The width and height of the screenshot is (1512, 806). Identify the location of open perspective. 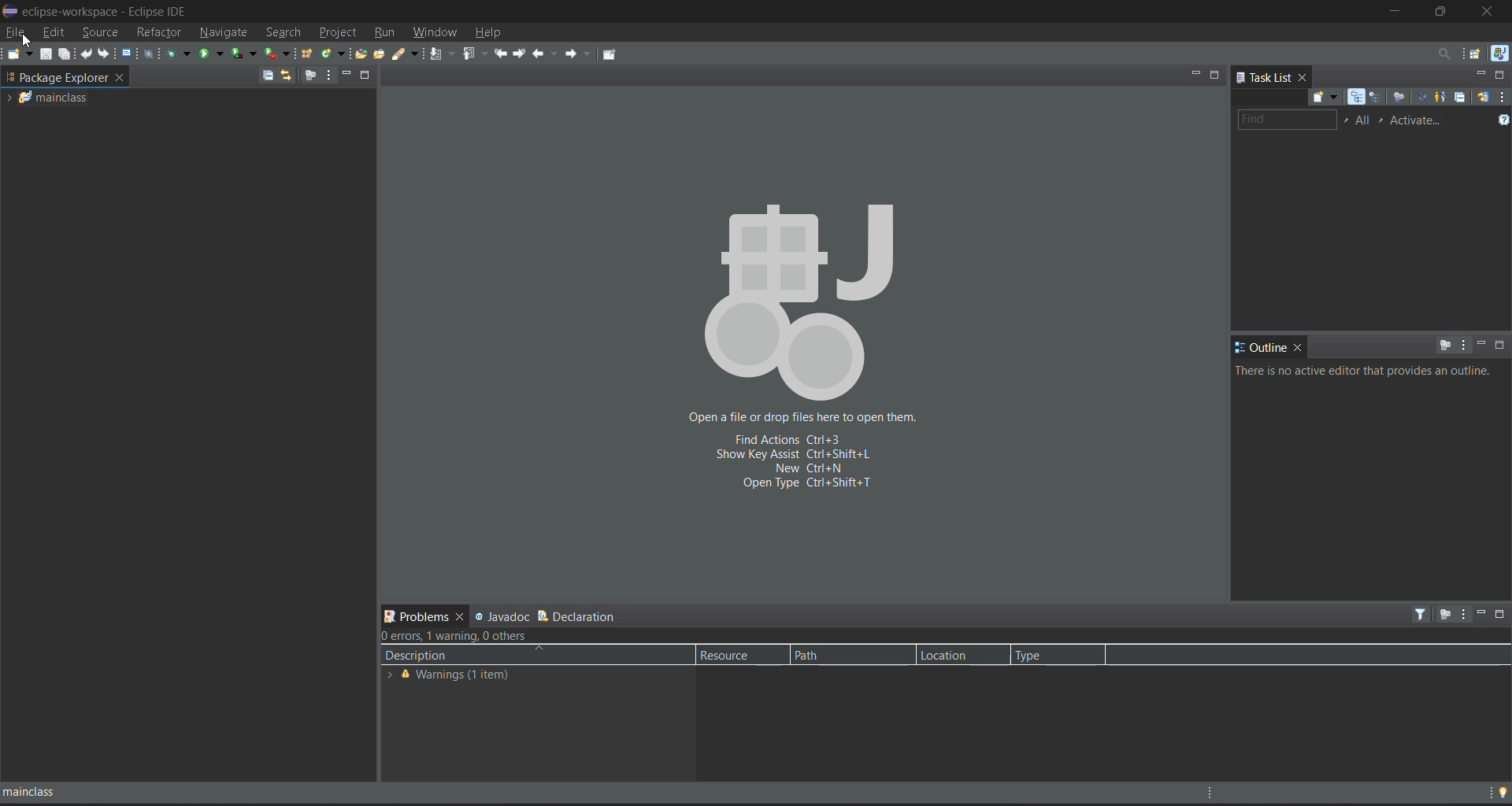
(1473, 54).